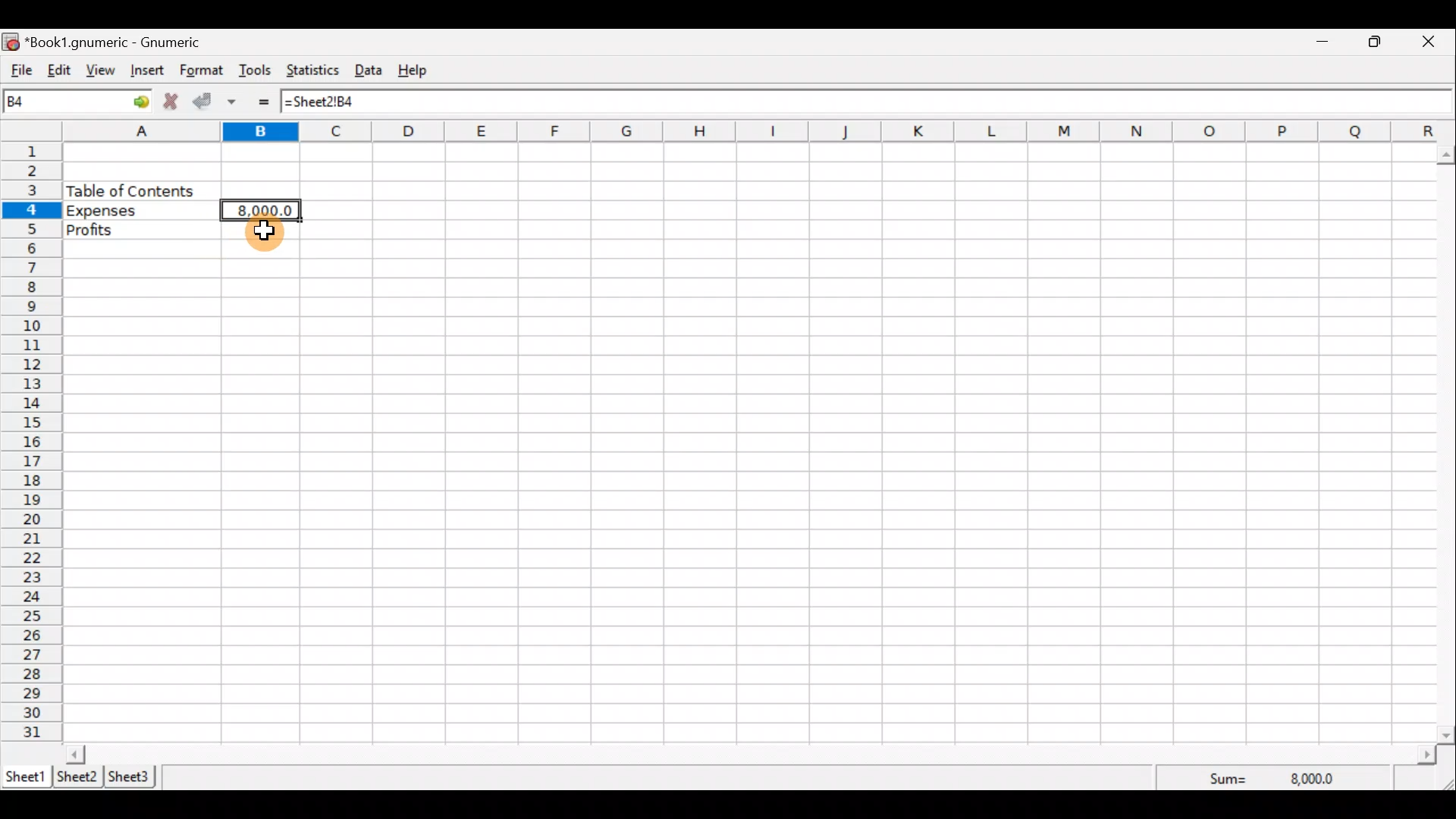 The width and height of the screenshot is (1456, 819). I want to click on Profits, so click(140, 230).